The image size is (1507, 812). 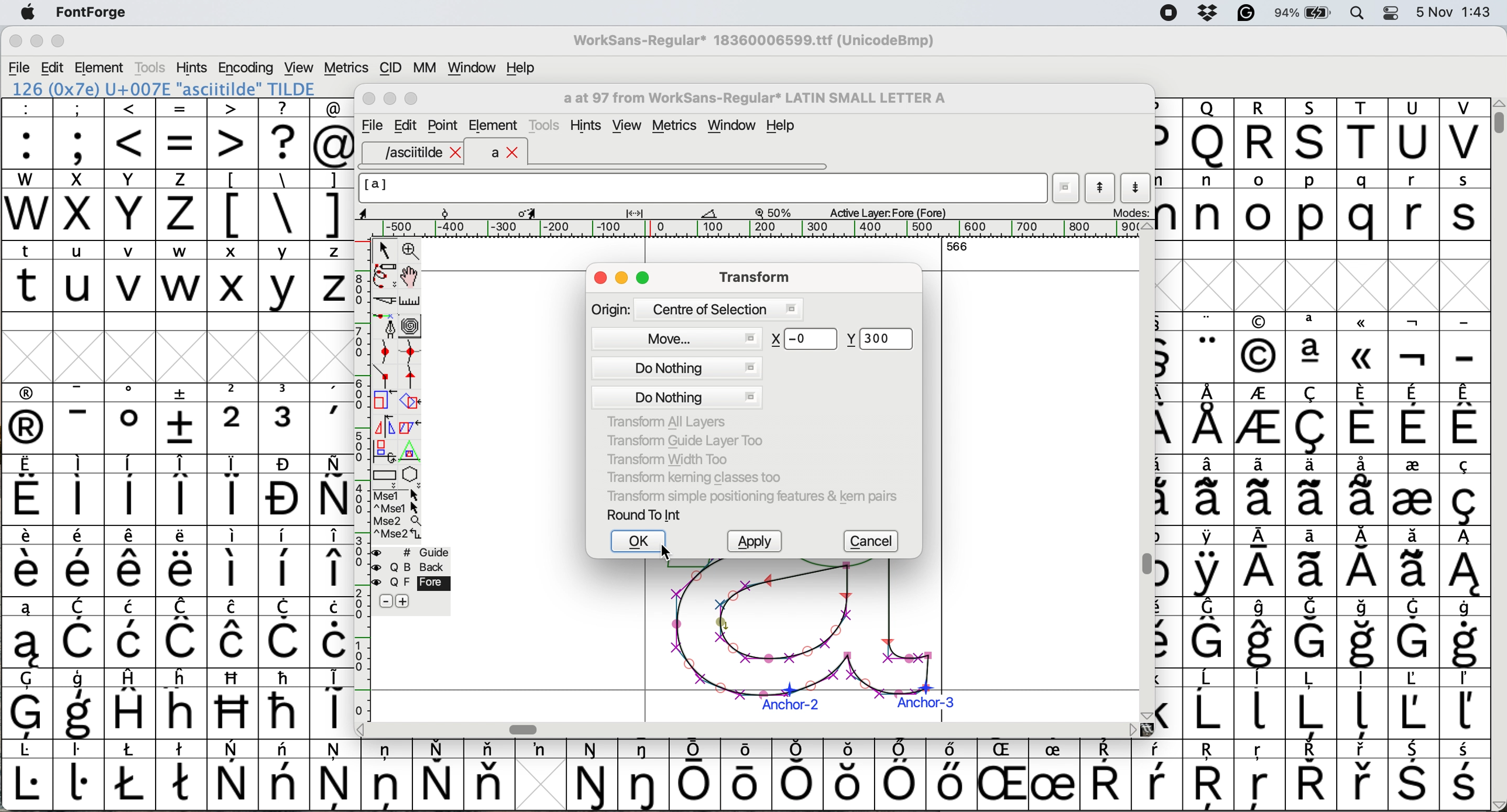 I want to click on 126 (0x7e) U+007E "asciitilde" TILDE, so click(x=165, y=88).